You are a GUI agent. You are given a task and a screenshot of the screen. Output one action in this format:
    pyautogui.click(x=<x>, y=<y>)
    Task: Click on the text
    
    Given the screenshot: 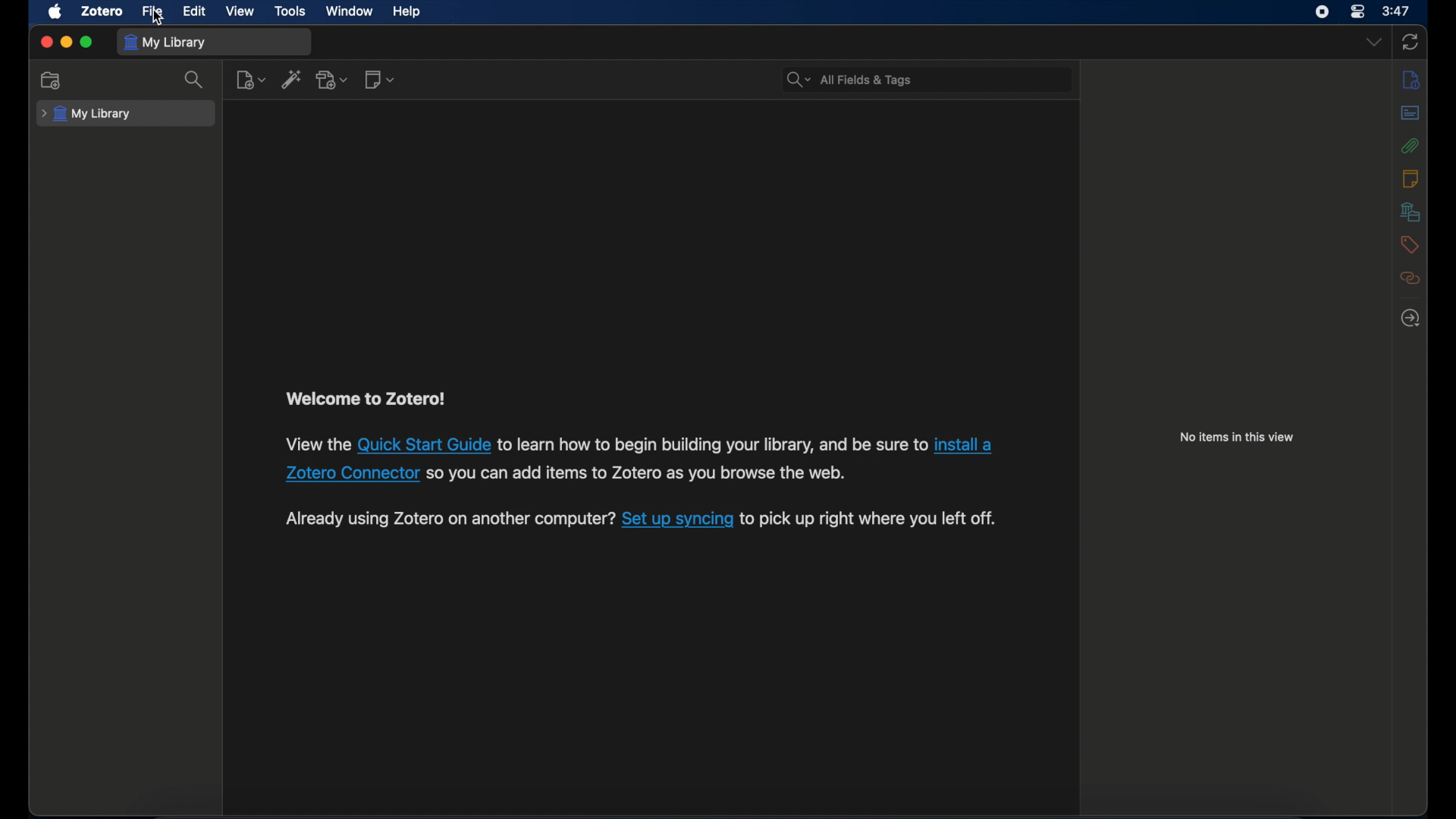 What is the action you would take?
    pyautogui.click(x=880, y=518)
    